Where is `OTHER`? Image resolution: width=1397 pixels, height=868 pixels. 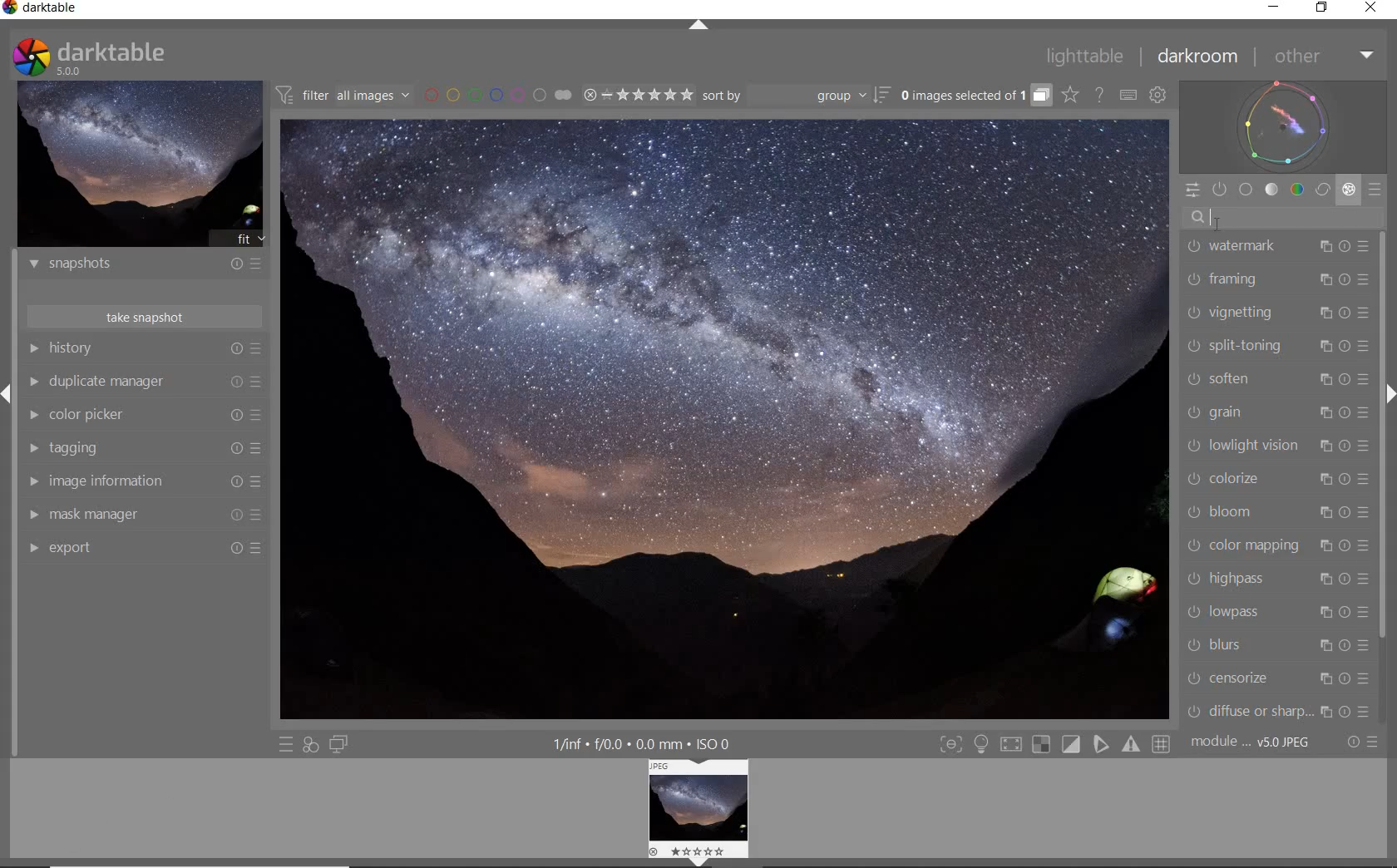
OTHER is located at coordinates (1324, 57).